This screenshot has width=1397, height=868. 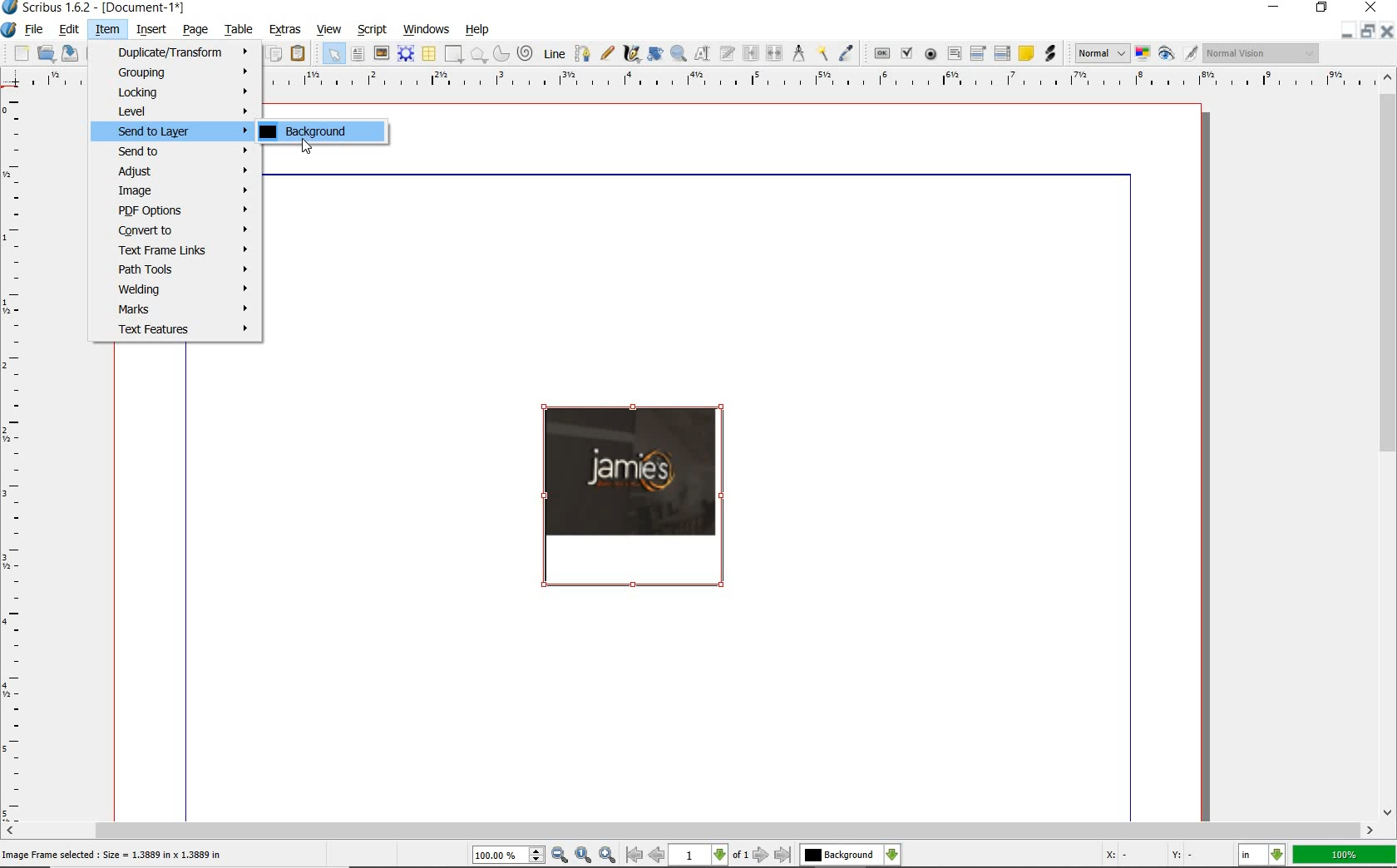 I want to click on Duplicate/Transform, so click(x=175, y=52).